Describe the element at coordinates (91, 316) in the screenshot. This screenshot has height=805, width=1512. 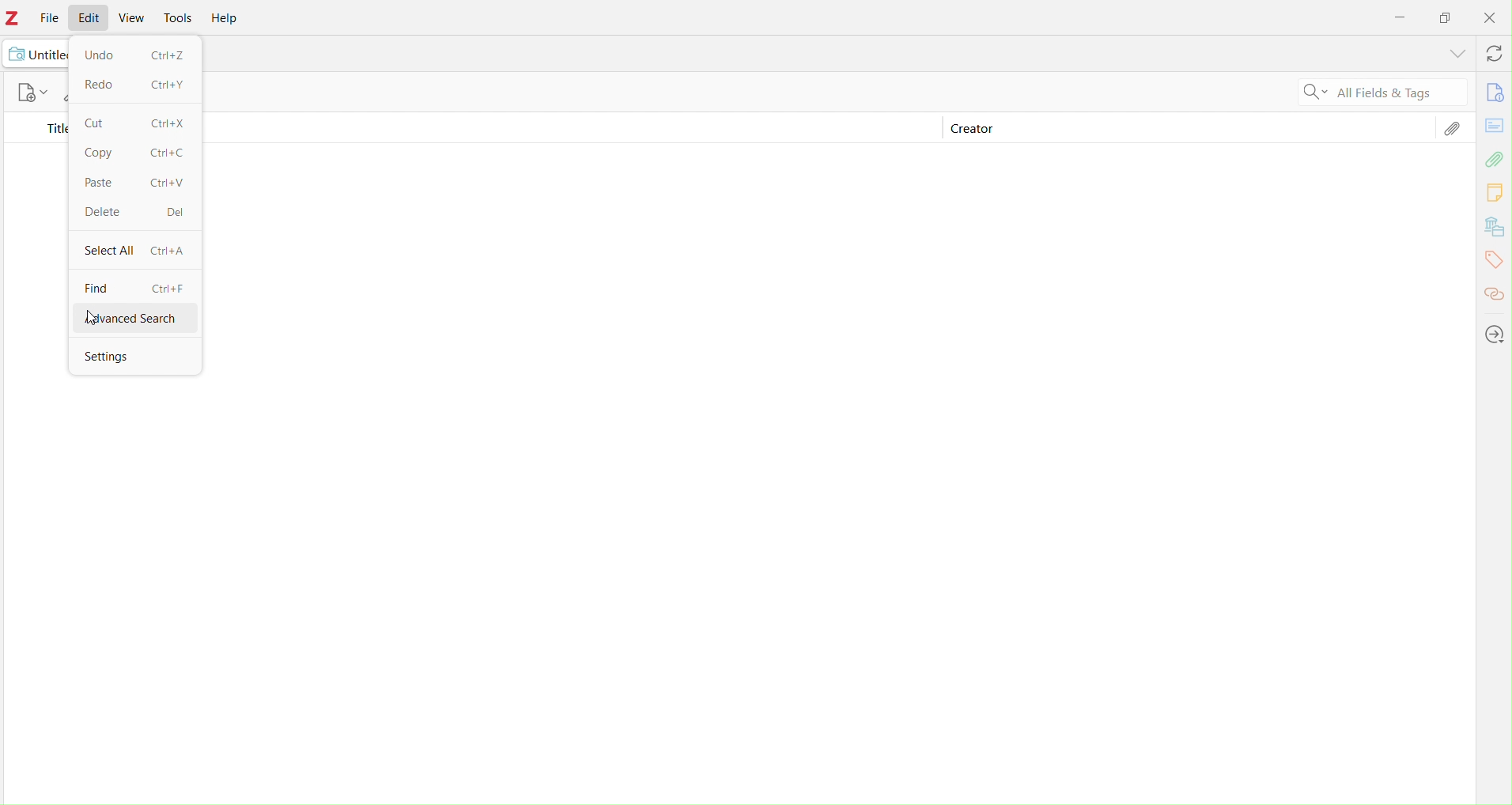
I see `Cursor` at that location.